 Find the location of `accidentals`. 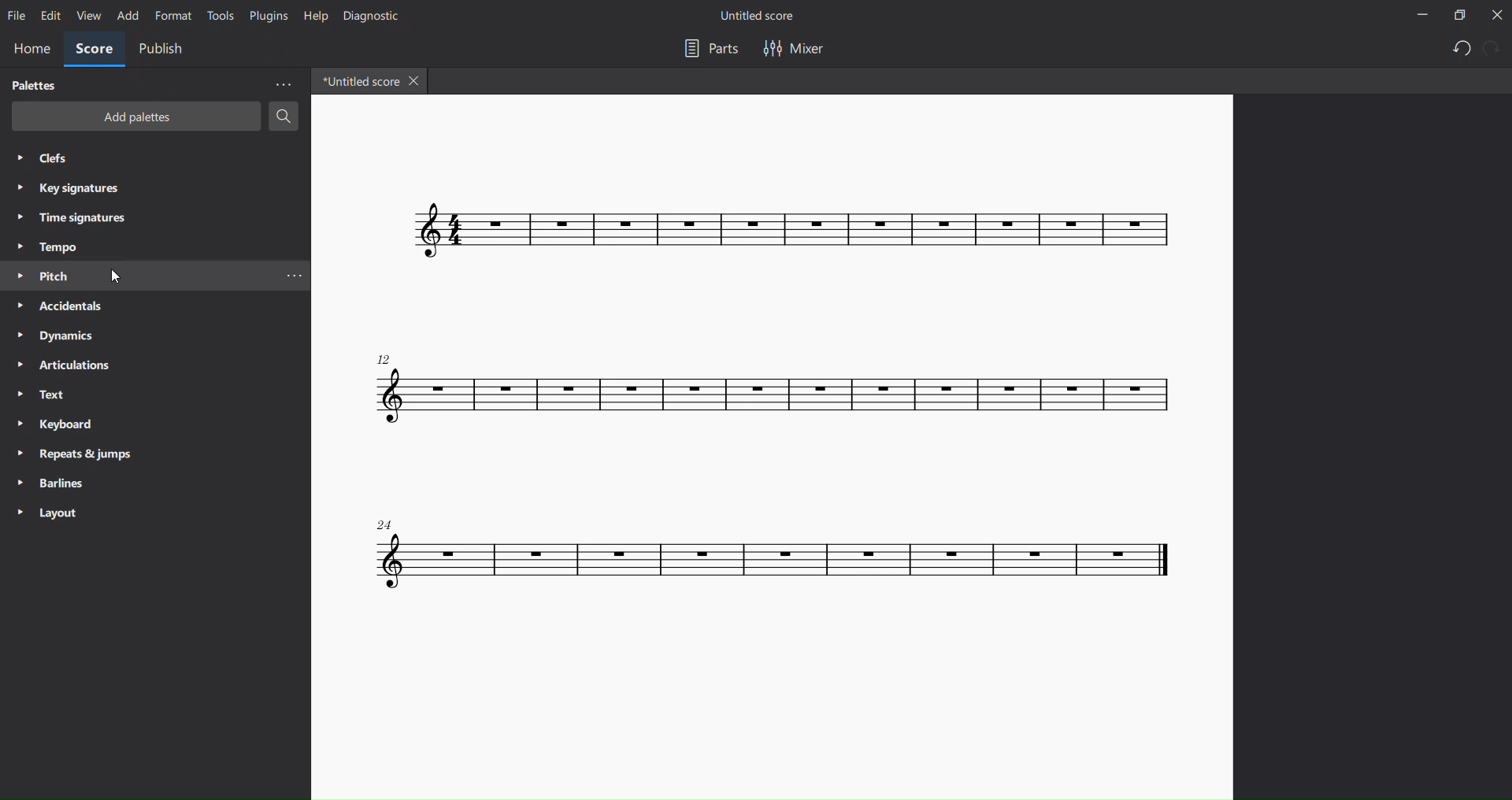

accidentals is located at coordinates (66, 307).